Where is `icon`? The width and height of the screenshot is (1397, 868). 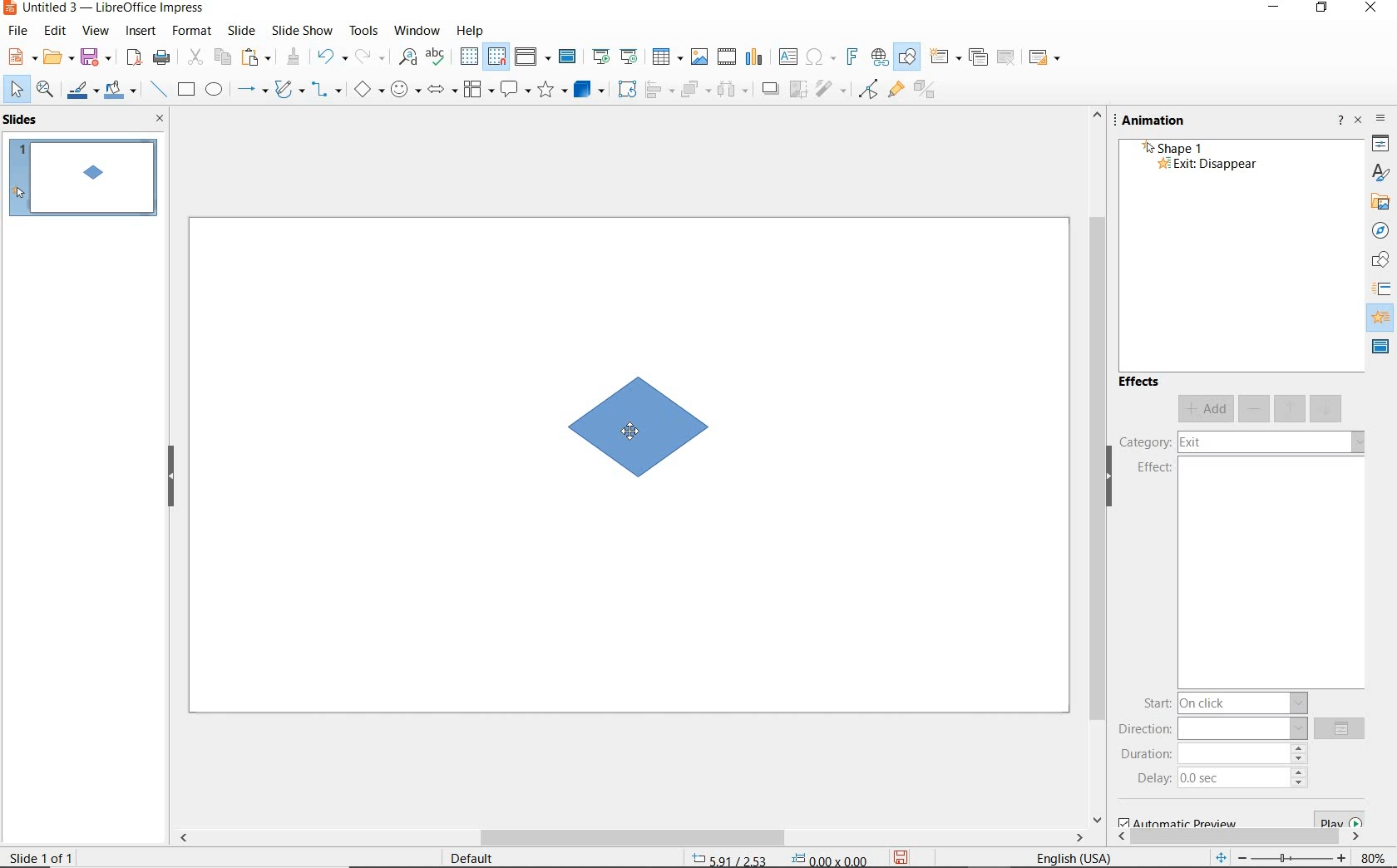 icon is located at coordinates (1381, 289).